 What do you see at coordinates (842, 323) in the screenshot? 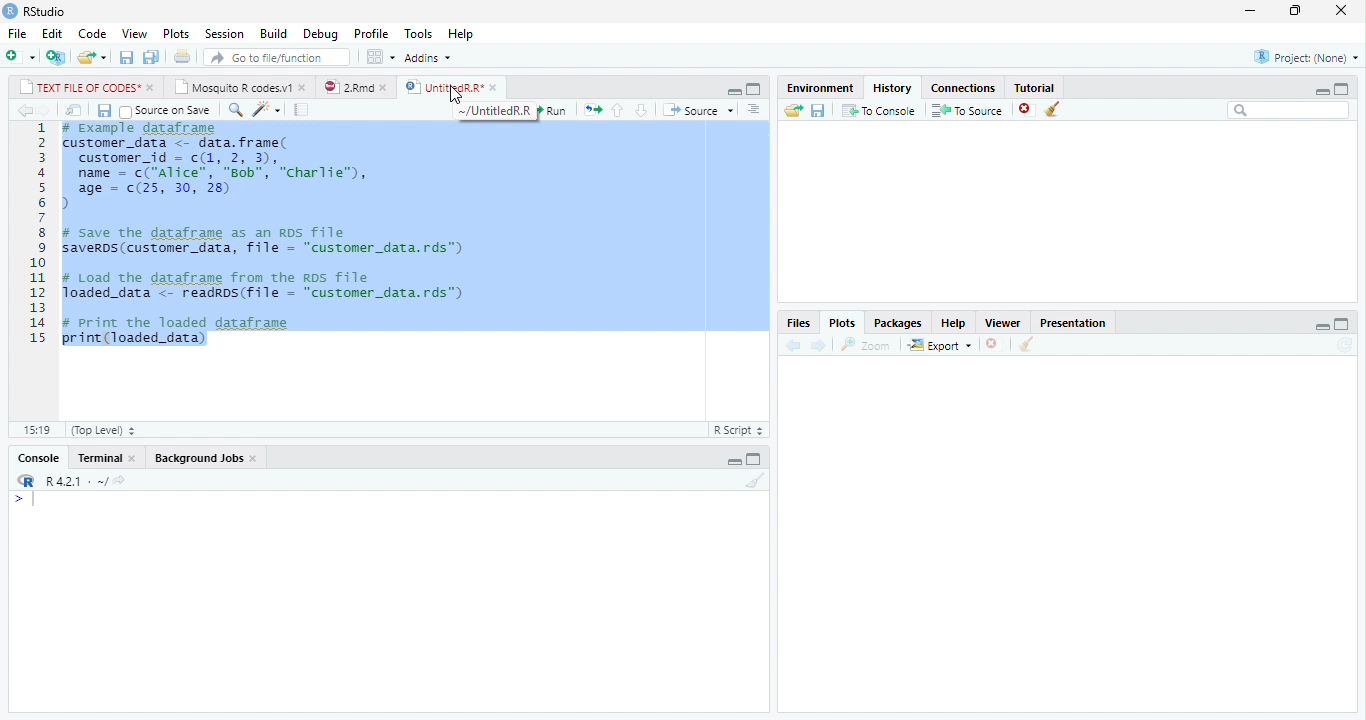
I see `Plots` at bounding box center [842, 323].